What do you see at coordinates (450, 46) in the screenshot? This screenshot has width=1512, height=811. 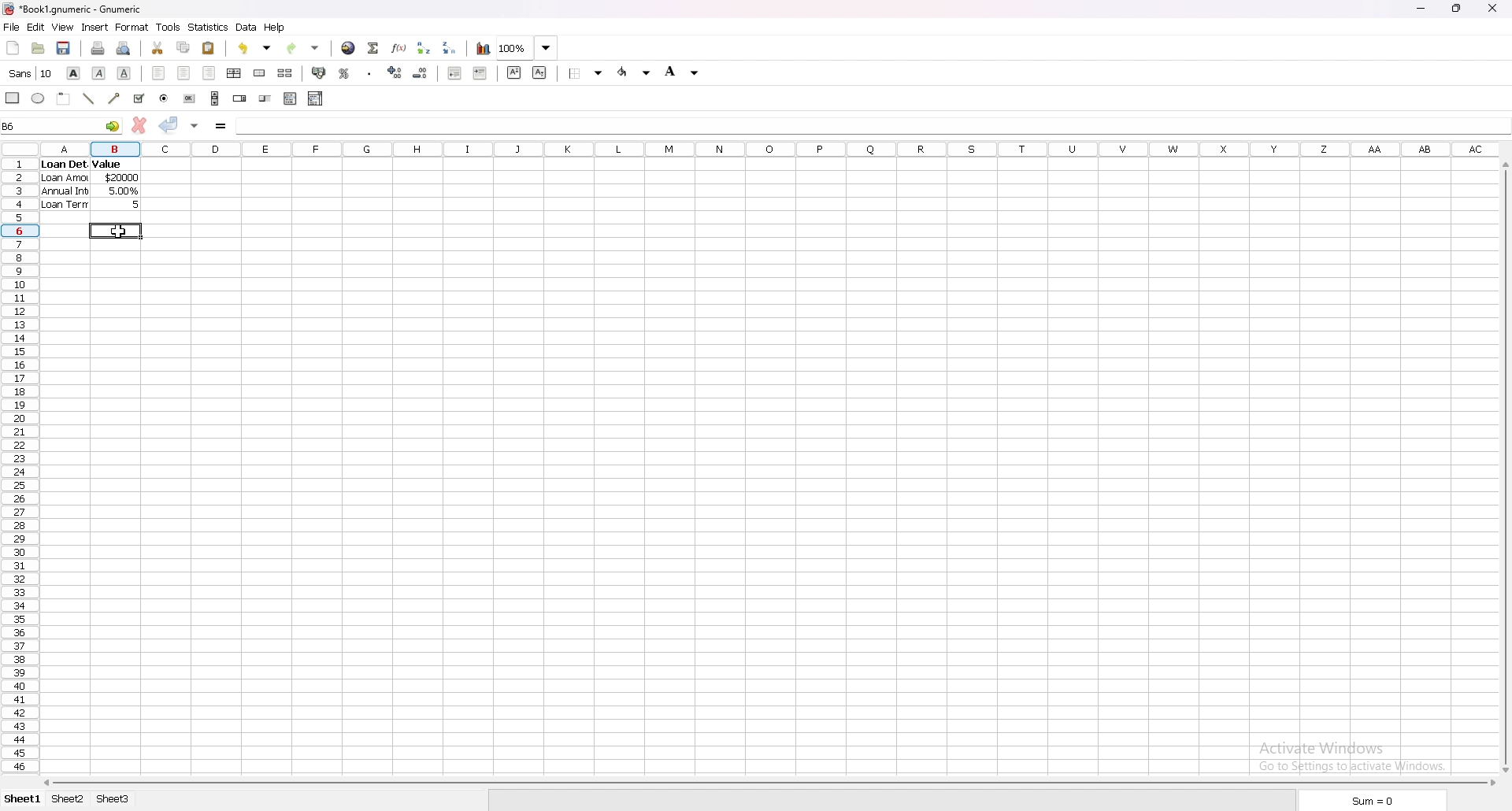 I see `sort descending` at bounding box center [450, 46].